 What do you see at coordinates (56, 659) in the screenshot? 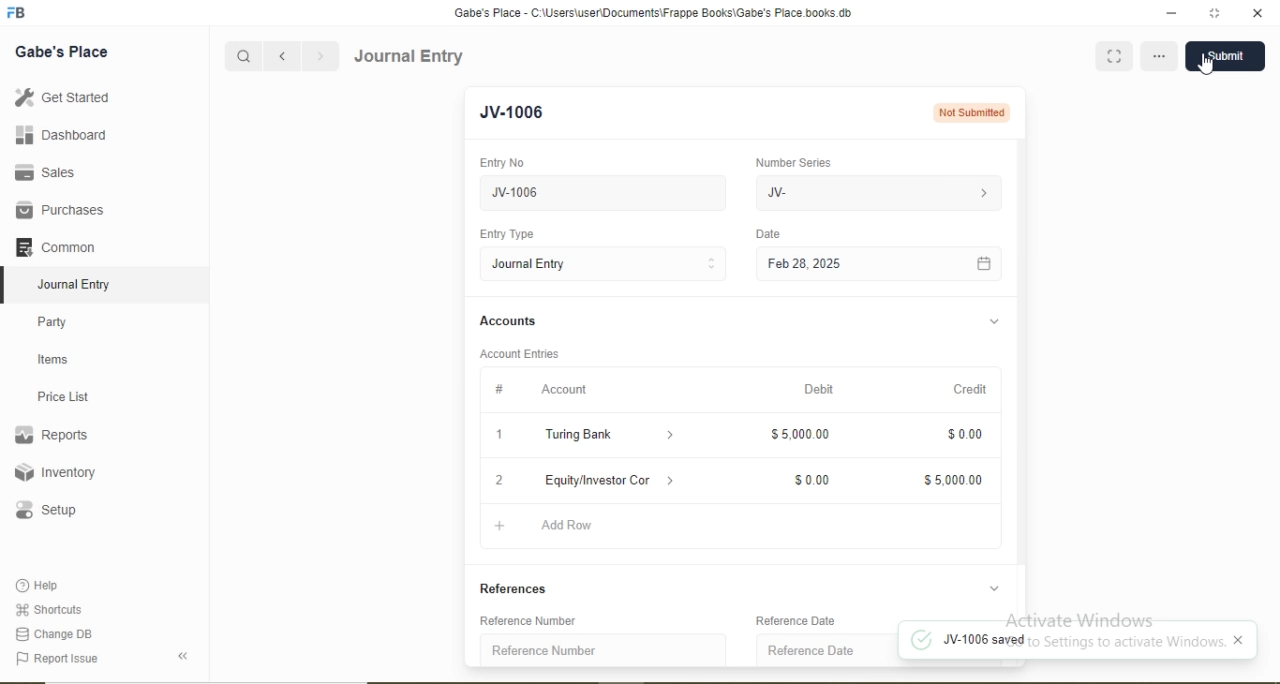
I see `Report Issue` at bounding box center [56, 659].